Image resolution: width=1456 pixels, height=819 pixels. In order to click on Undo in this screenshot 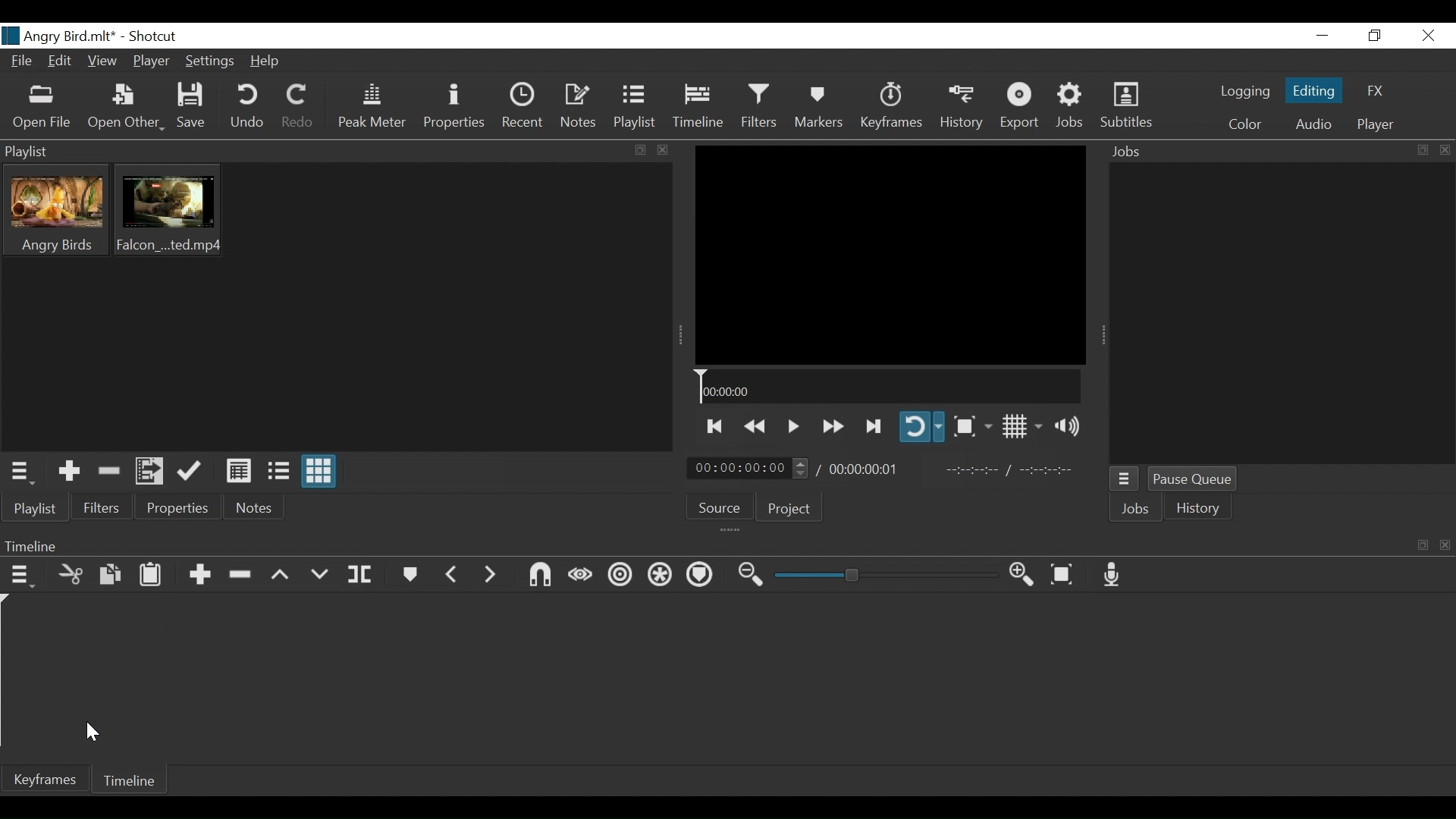, I will do `click(249, 108)`.